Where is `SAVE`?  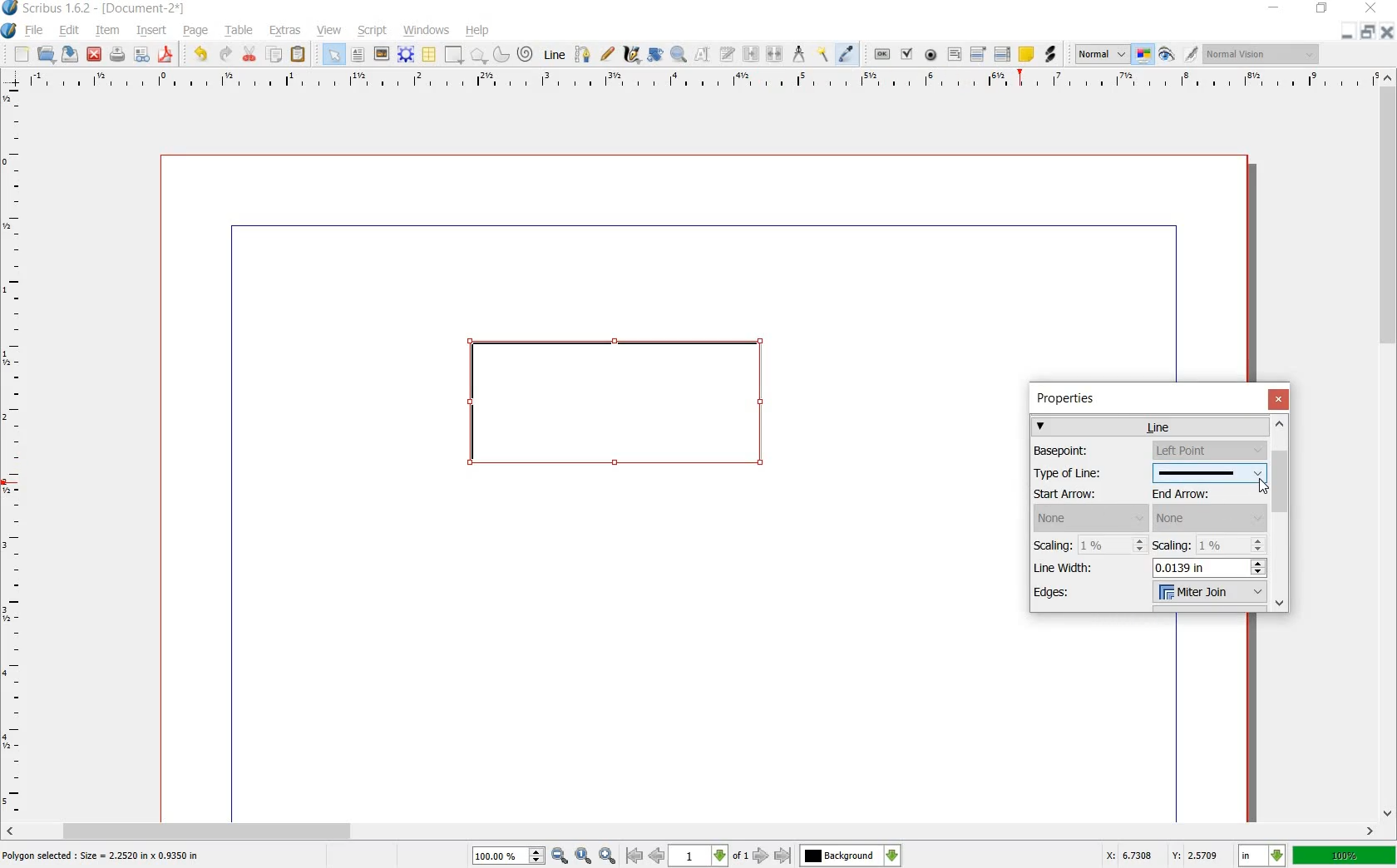
SAVE is located at coordinates (68, 54).